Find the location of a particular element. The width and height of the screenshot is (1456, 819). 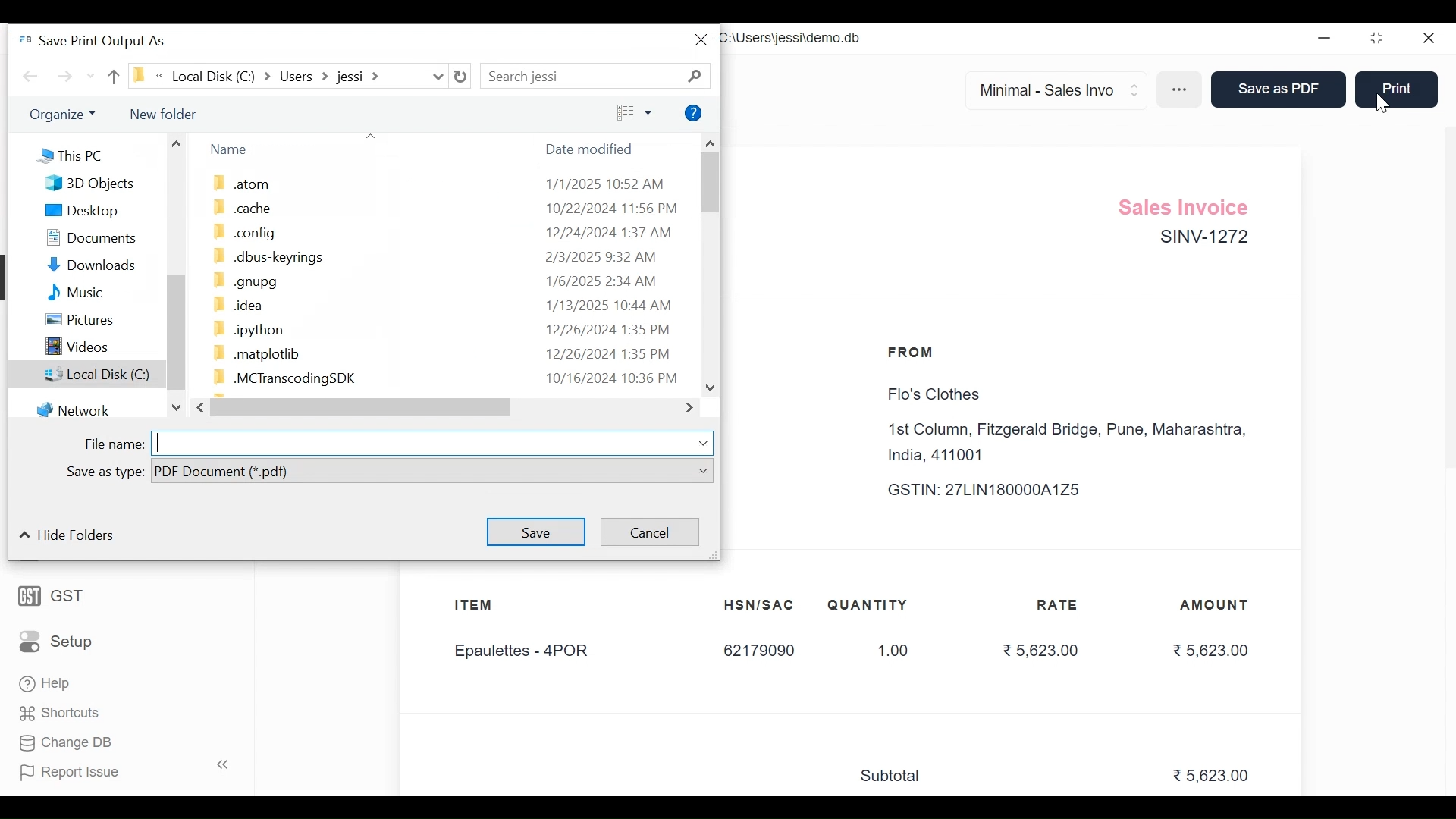

New folder is located at coordinates (165, 114).